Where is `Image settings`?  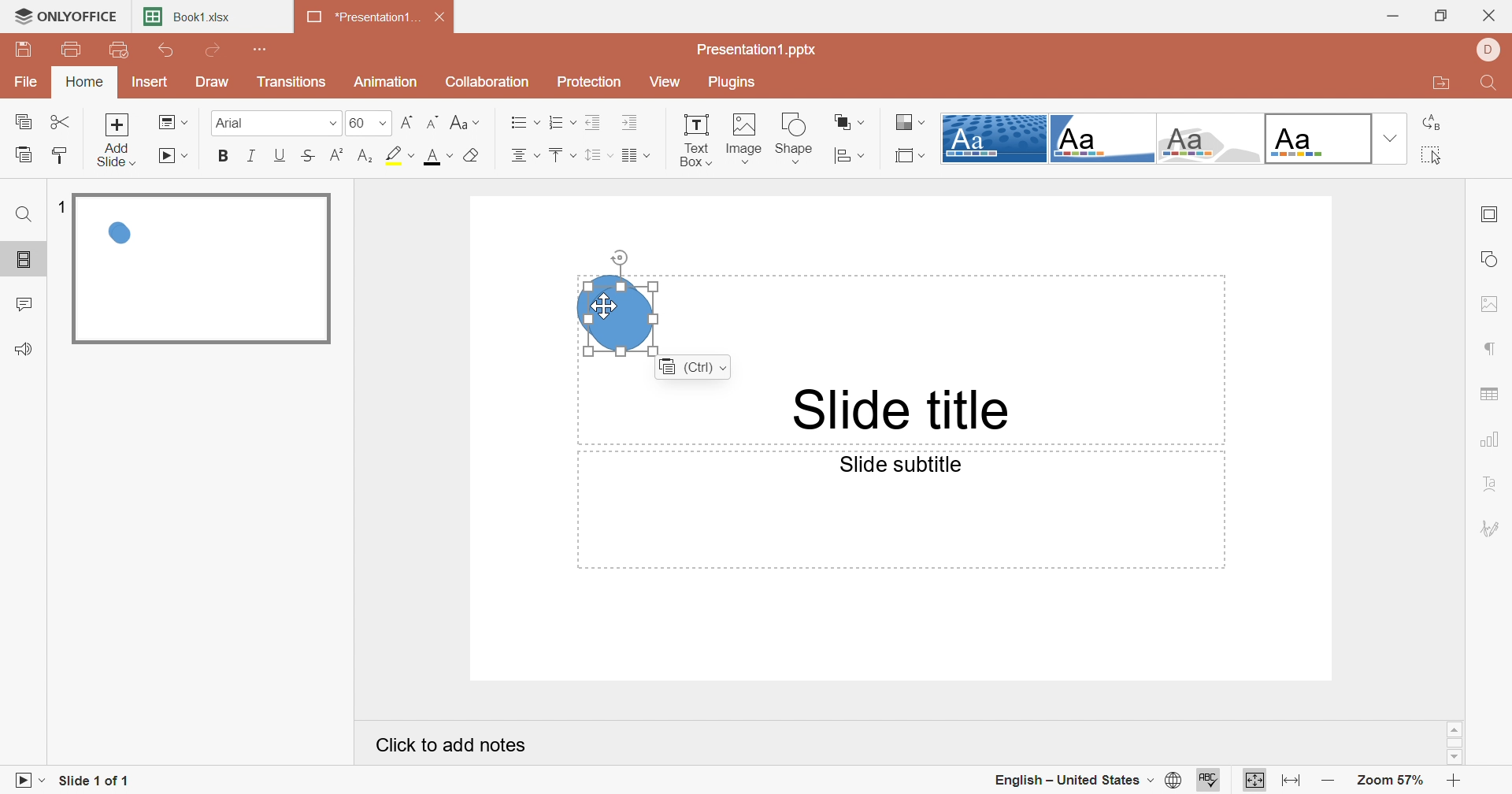 Image settings is located at coordinates (1492, 304).